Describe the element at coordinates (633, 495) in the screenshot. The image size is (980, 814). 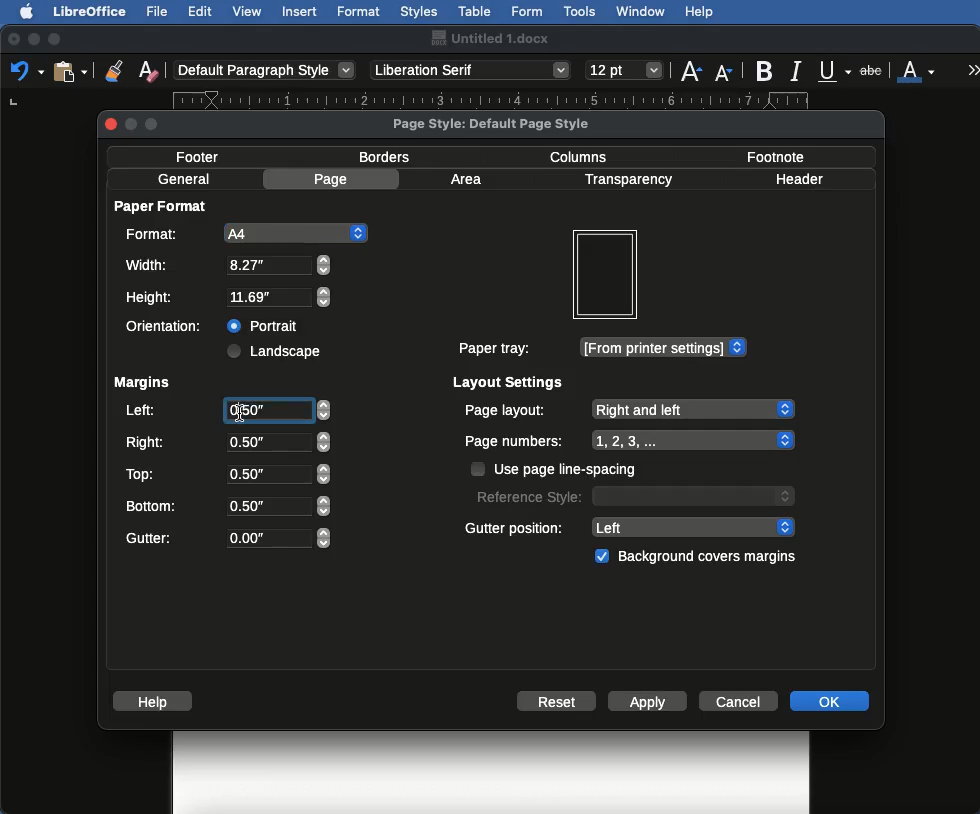
I see `Reference style` at that location.